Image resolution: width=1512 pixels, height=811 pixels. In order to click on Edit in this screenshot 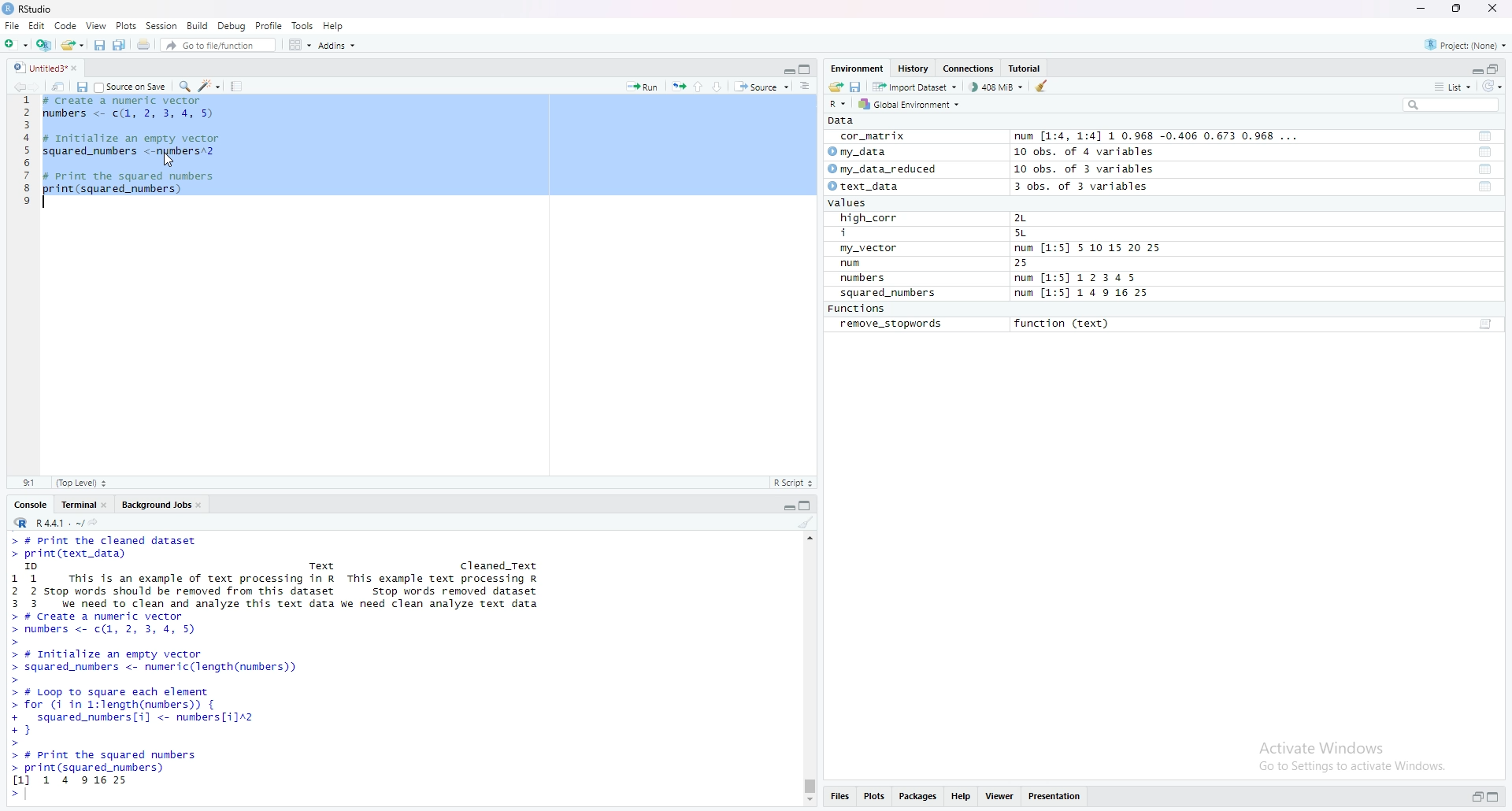, I will do `click(36, 25)`.